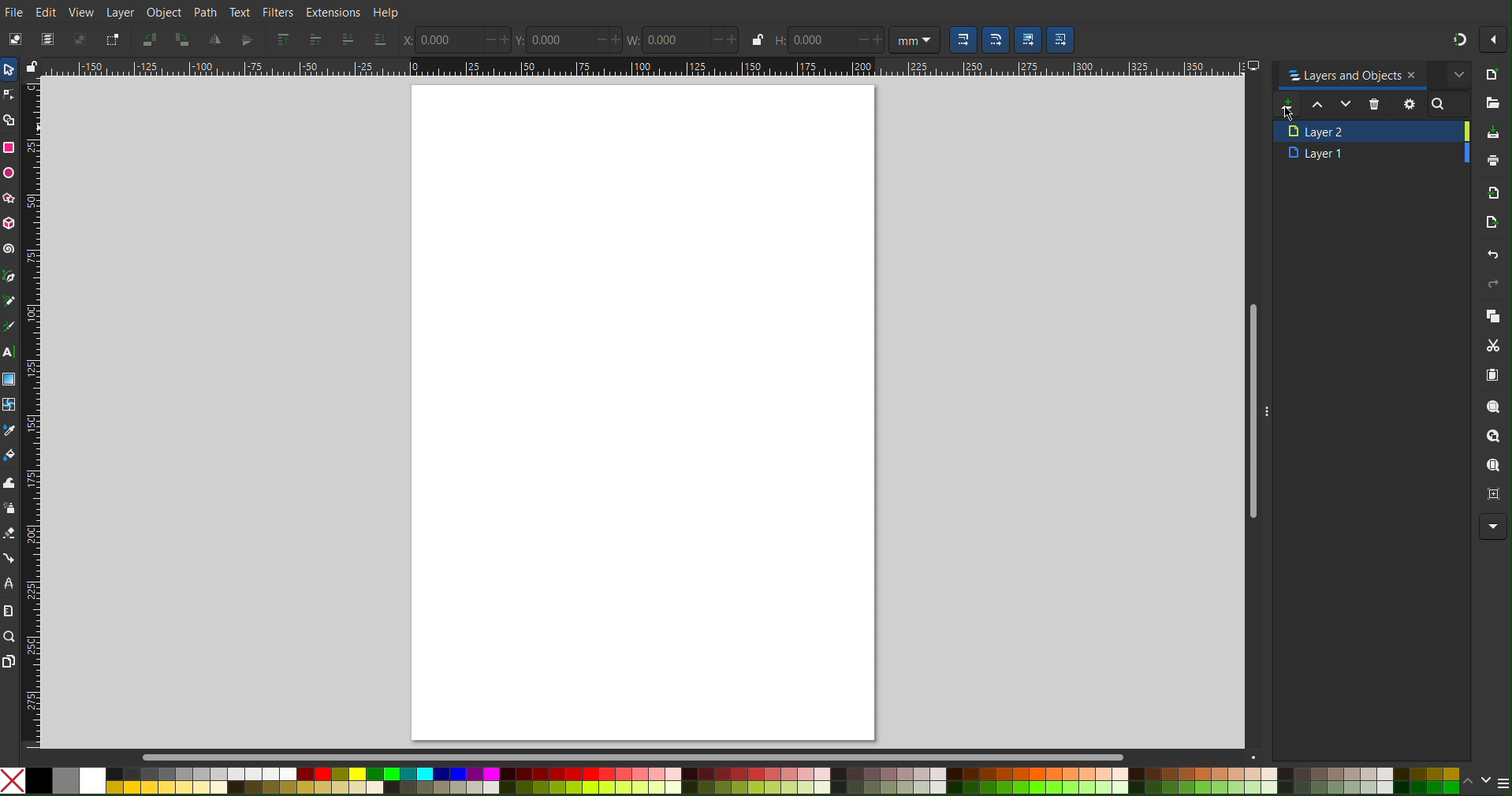  What do you see at coordinates (379, 39) in the screenshot?
I see `Send layer to the bottom` at bounding box center [379, 39].